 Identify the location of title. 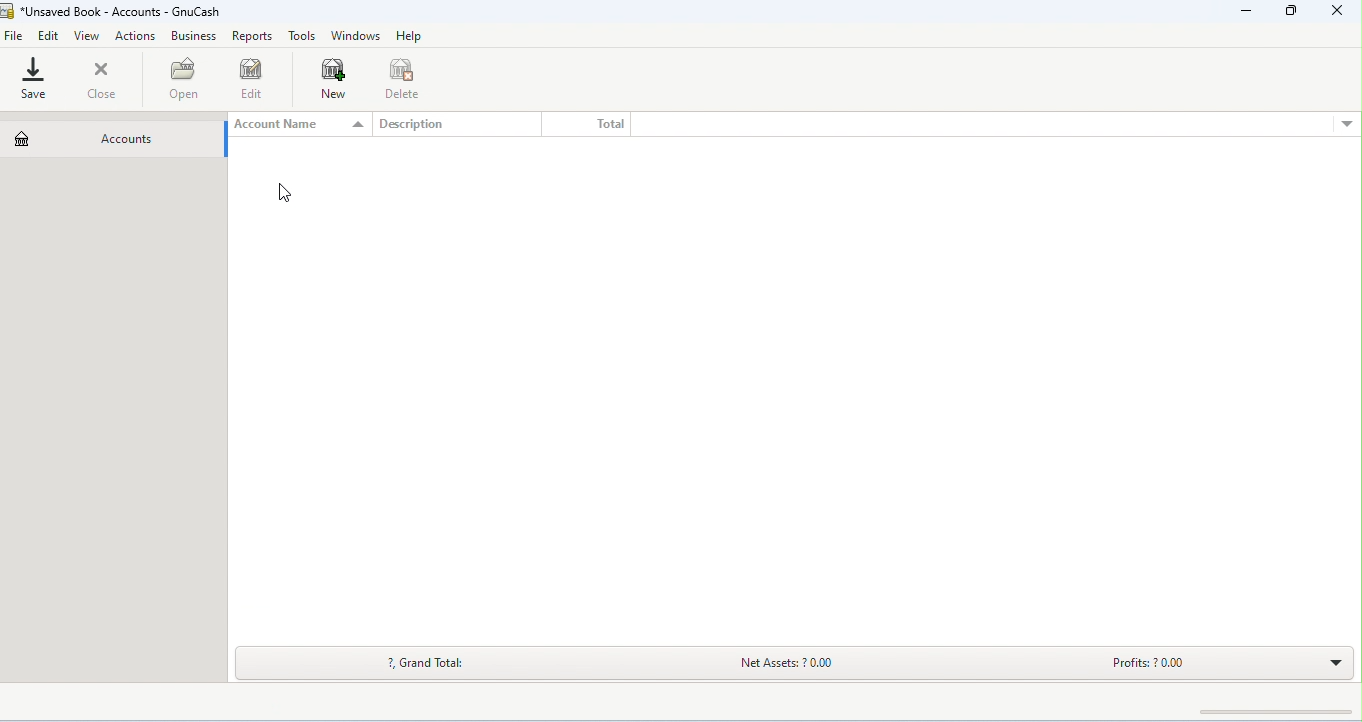
(114, 13).